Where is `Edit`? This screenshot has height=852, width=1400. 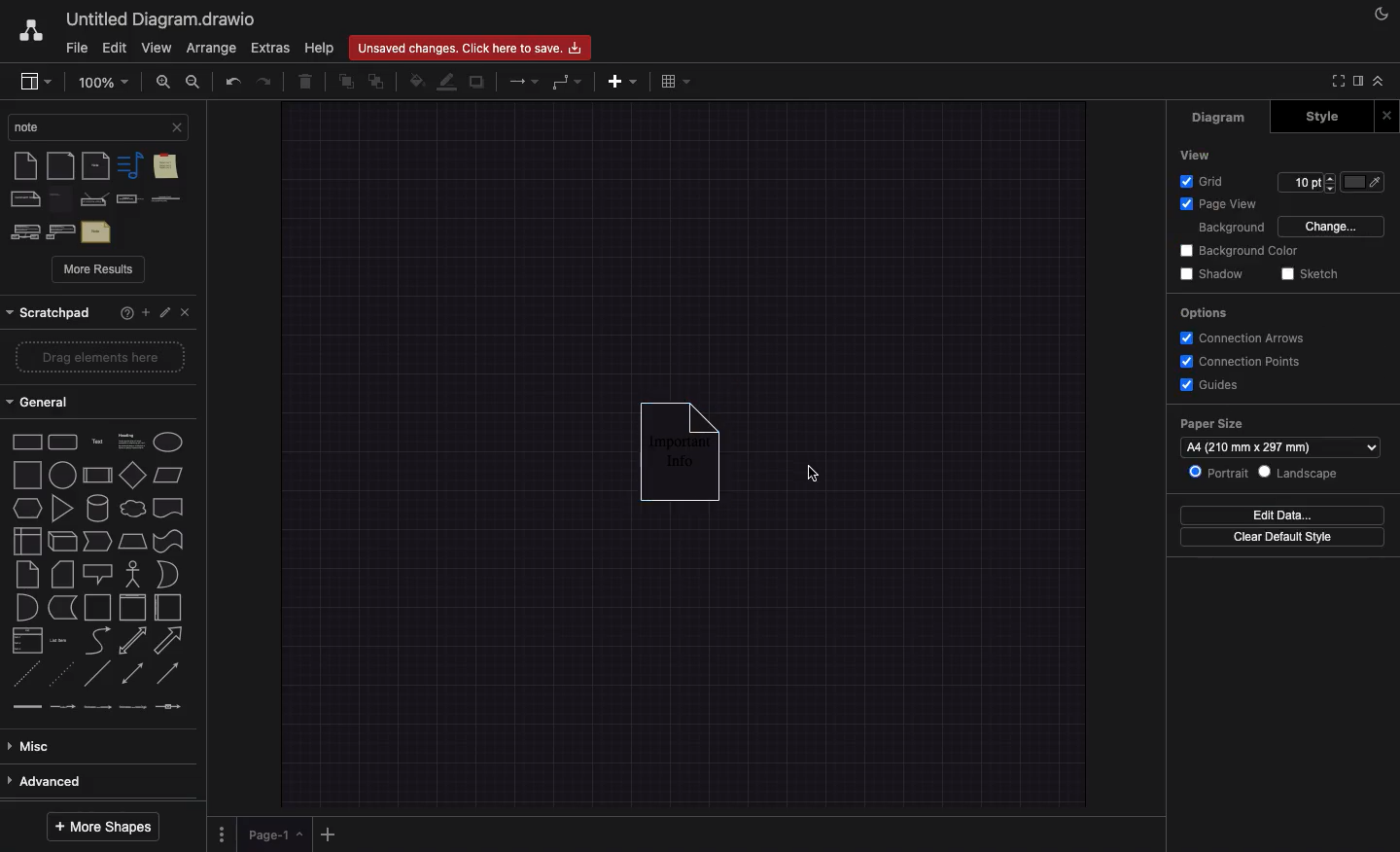
Edit is located at coordinates (117, 47).